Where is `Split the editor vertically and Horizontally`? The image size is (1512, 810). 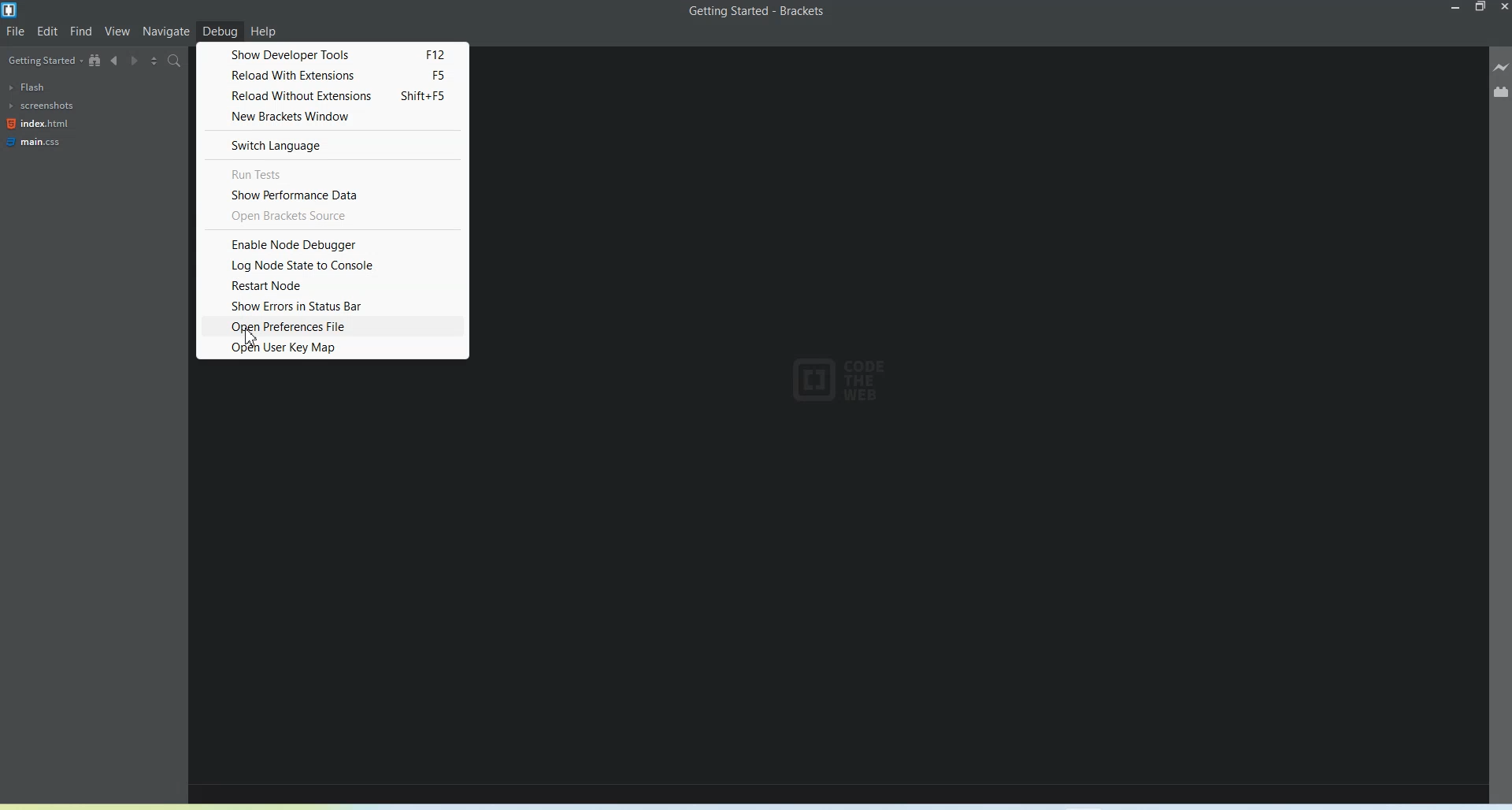 Split the editor vertically and Horizontally is located at coordinates (154, 61).